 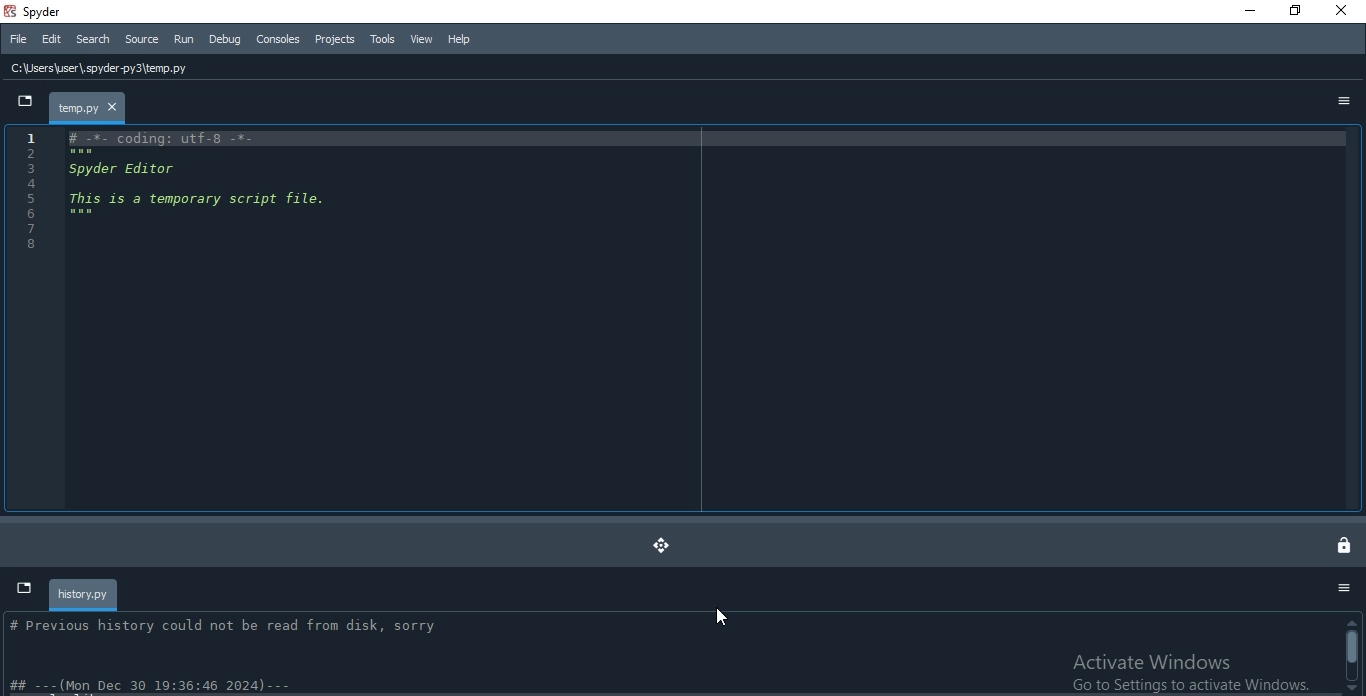 What do you see at coordinates (687, 319) in the screenshot?
I see `IDE` at bounding box center [687, 319].